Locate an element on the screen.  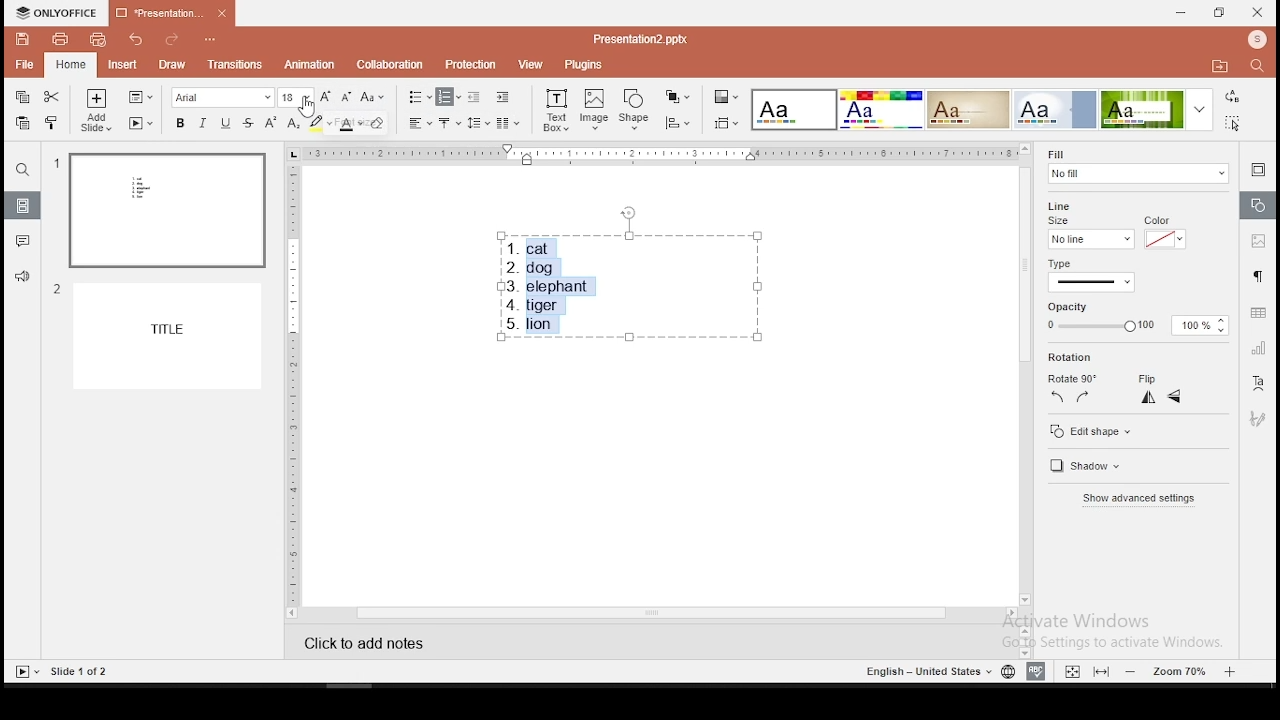
language is located at coordinates (1004, 671).